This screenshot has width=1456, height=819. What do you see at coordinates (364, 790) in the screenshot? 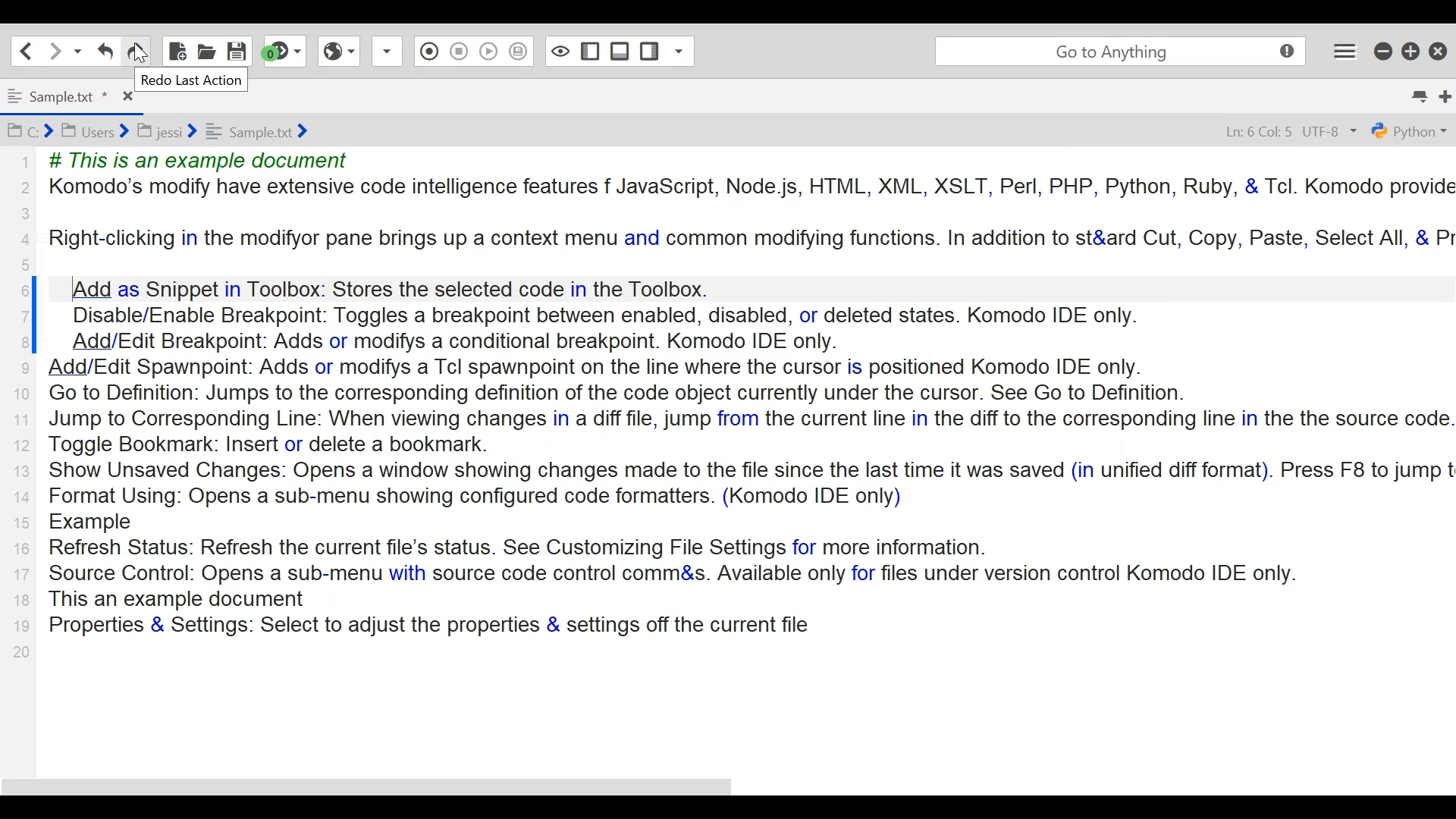
I see `Horizontal Scroll bar` at bounding box center [364, 790].